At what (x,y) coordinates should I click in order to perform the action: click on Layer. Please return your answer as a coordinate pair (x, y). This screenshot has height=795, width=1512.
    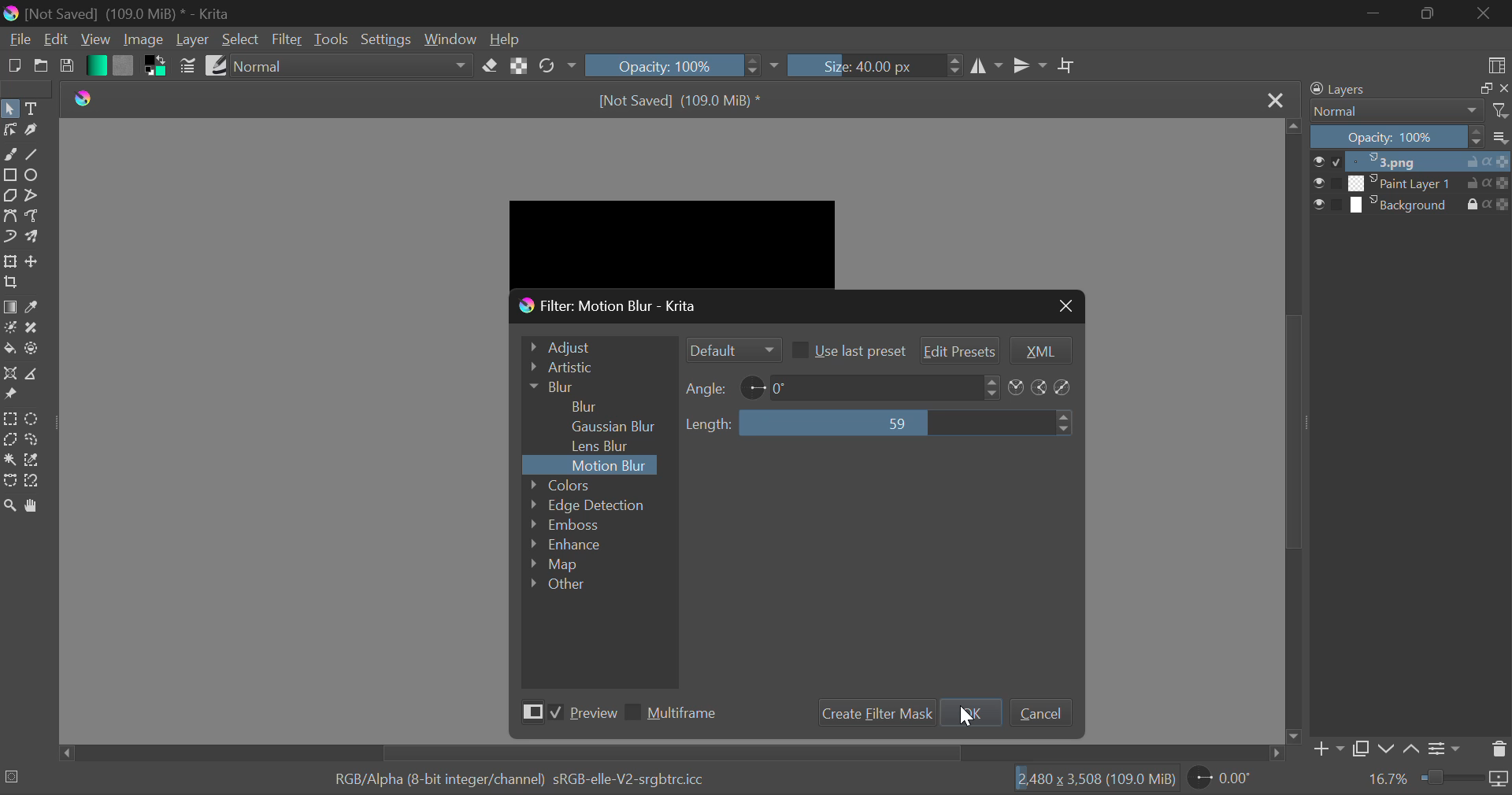
    Looking at the image, I should click on (193, 39).